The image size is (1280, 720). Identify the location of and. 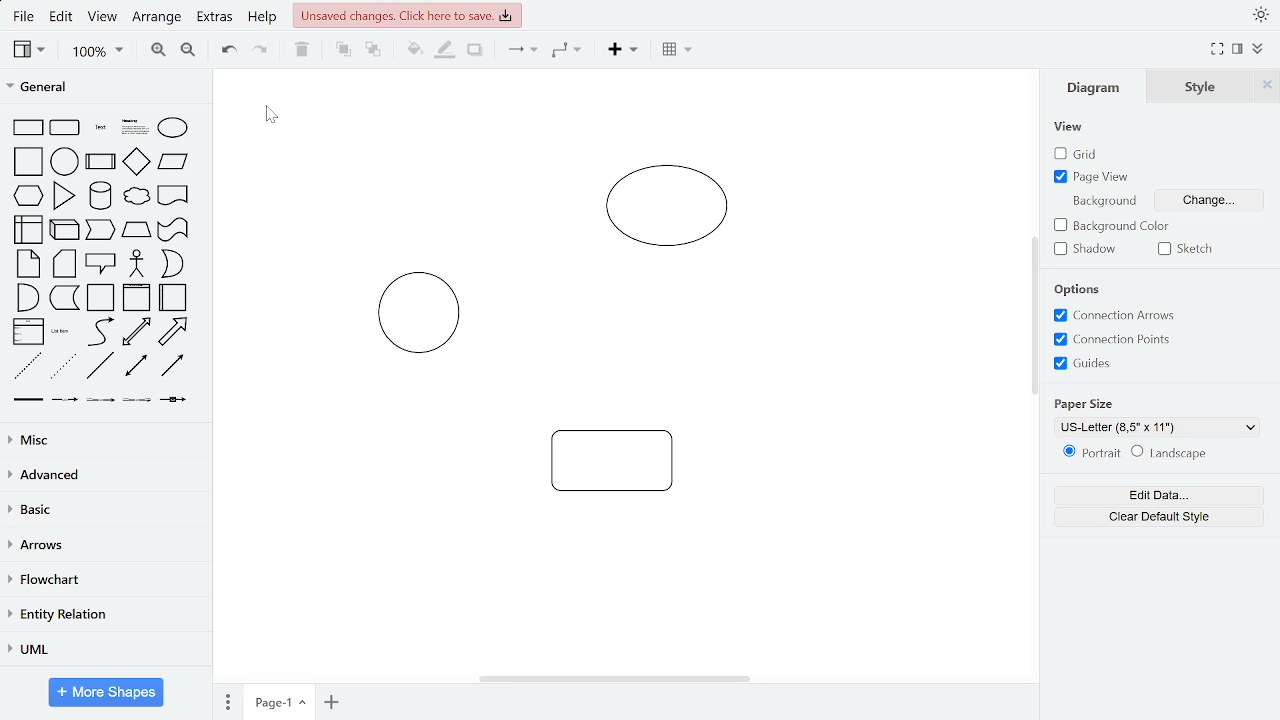
(26, 297).